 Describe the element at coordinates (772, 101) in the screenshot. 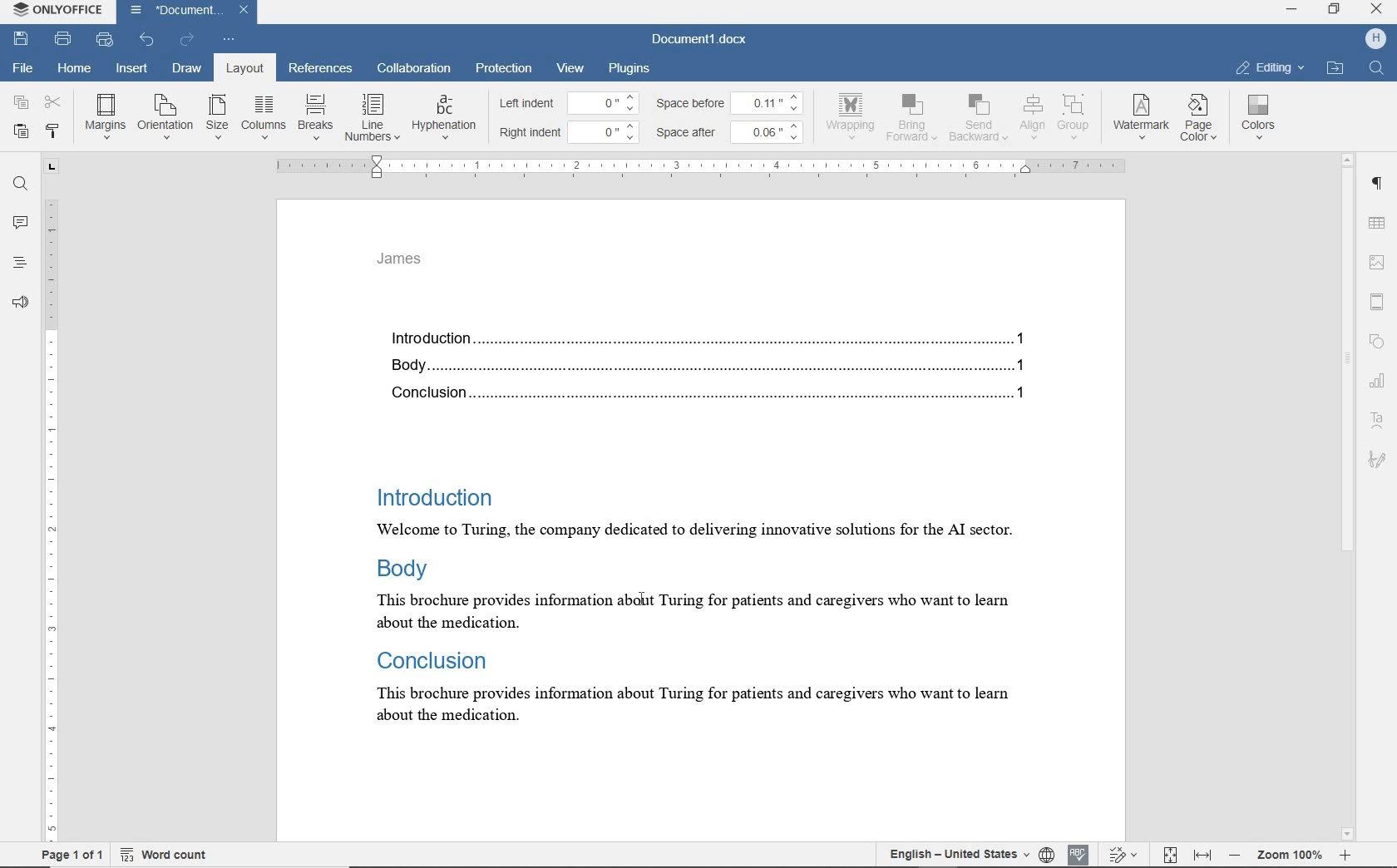

I see `0.11` at that location.